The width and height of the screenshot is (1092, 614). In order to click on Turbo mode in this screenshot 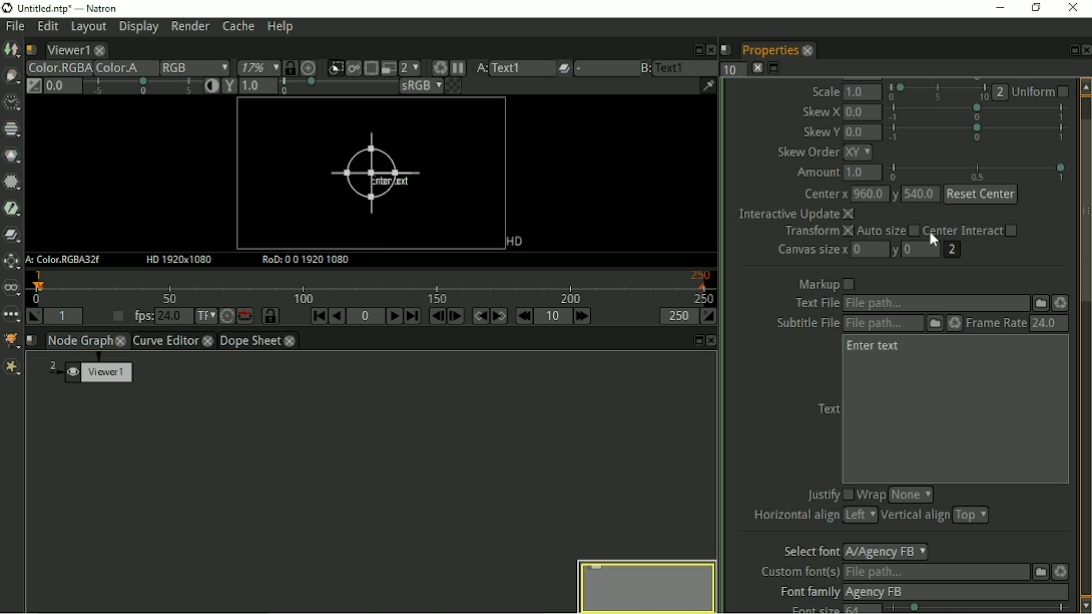, I will do `click(226, 317)`.